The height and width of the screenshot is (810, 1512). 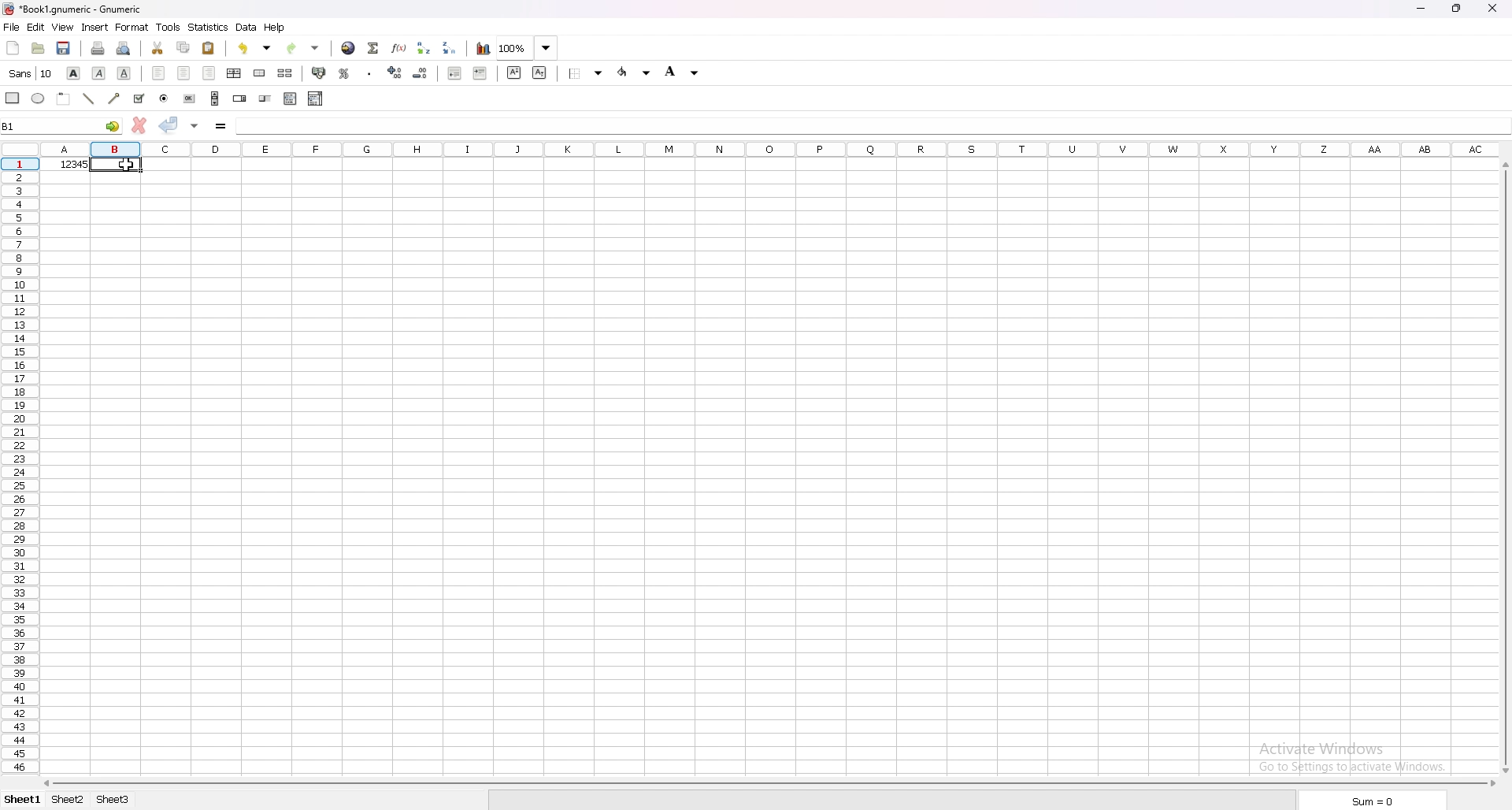 I want to click on copy, so click(x=183, y=48).